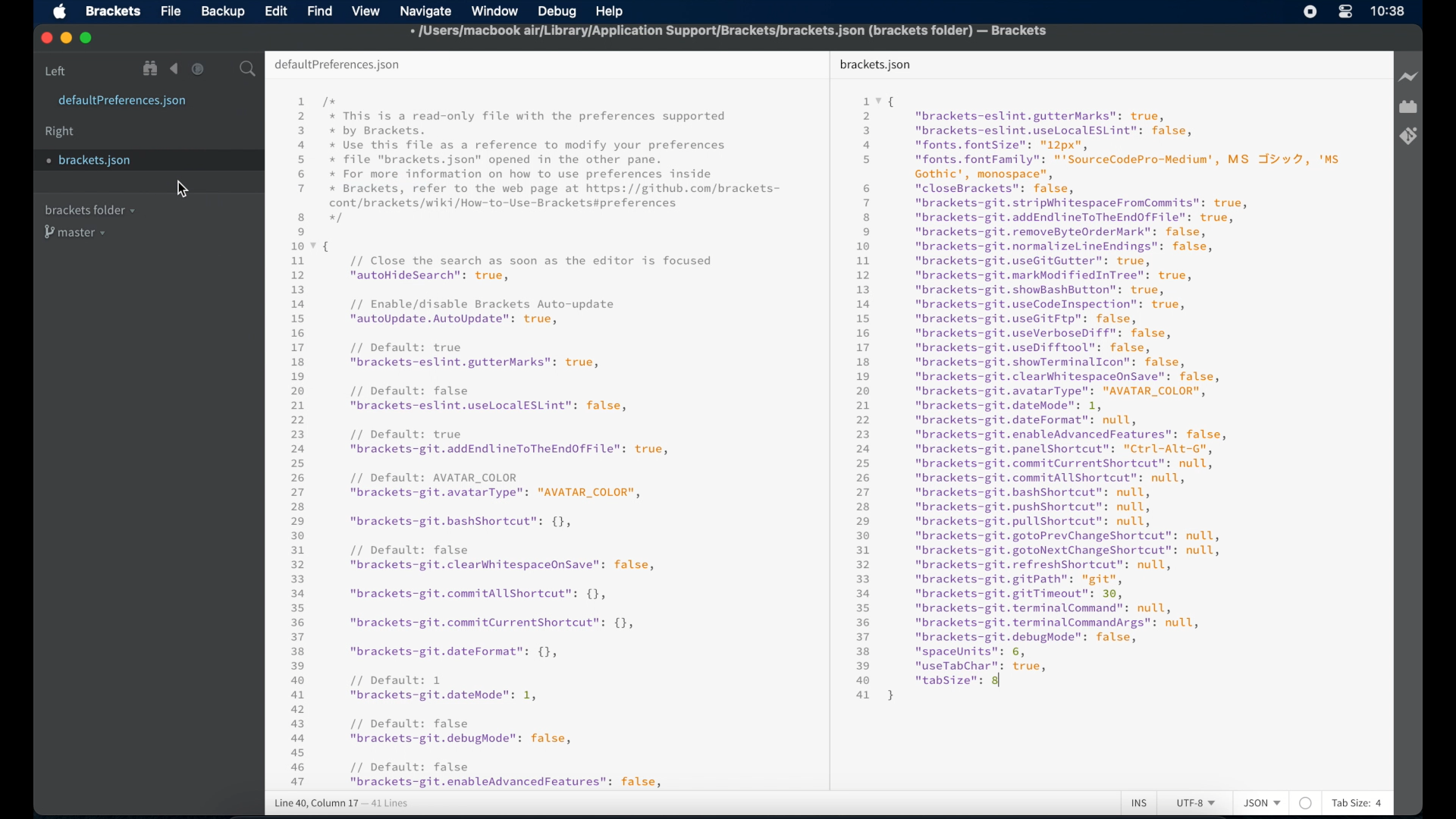  Describe the element at coordinates (1408, 136) in the screenshot. I see `brackets  git extension` at that location.